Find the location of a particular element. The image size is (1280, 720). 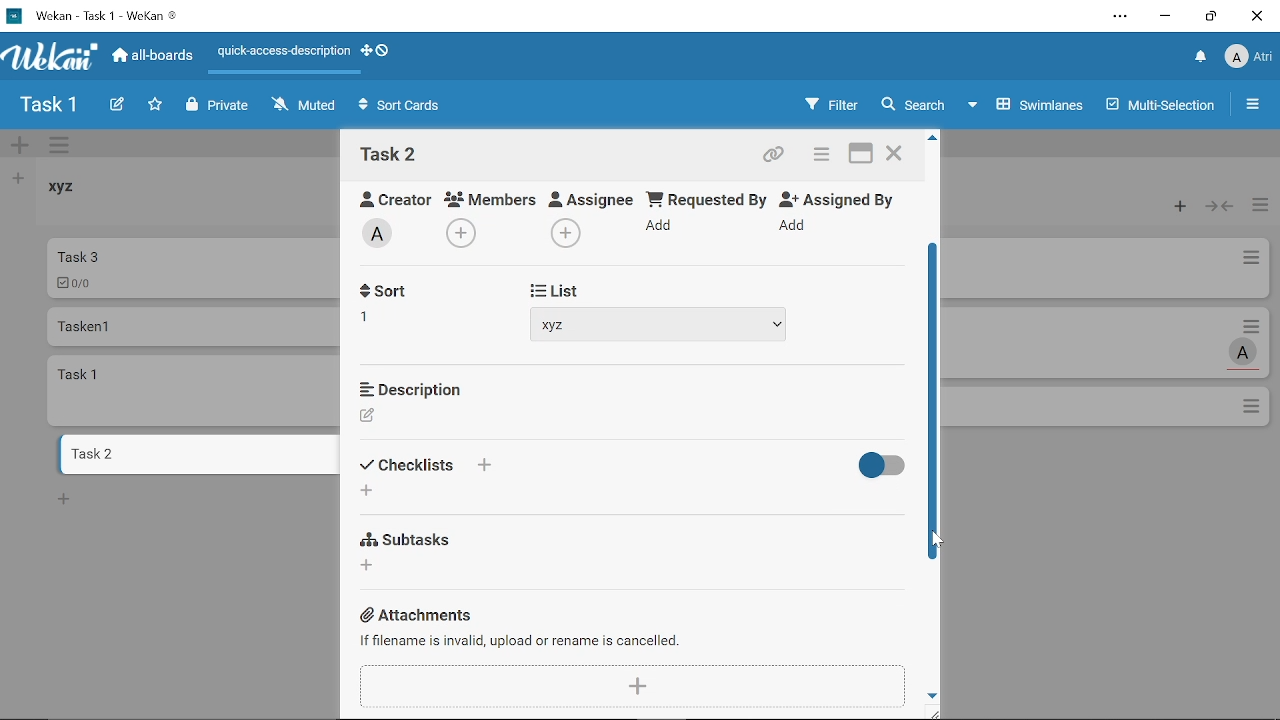

Click here to star this board is located at coordinates (155, 106).